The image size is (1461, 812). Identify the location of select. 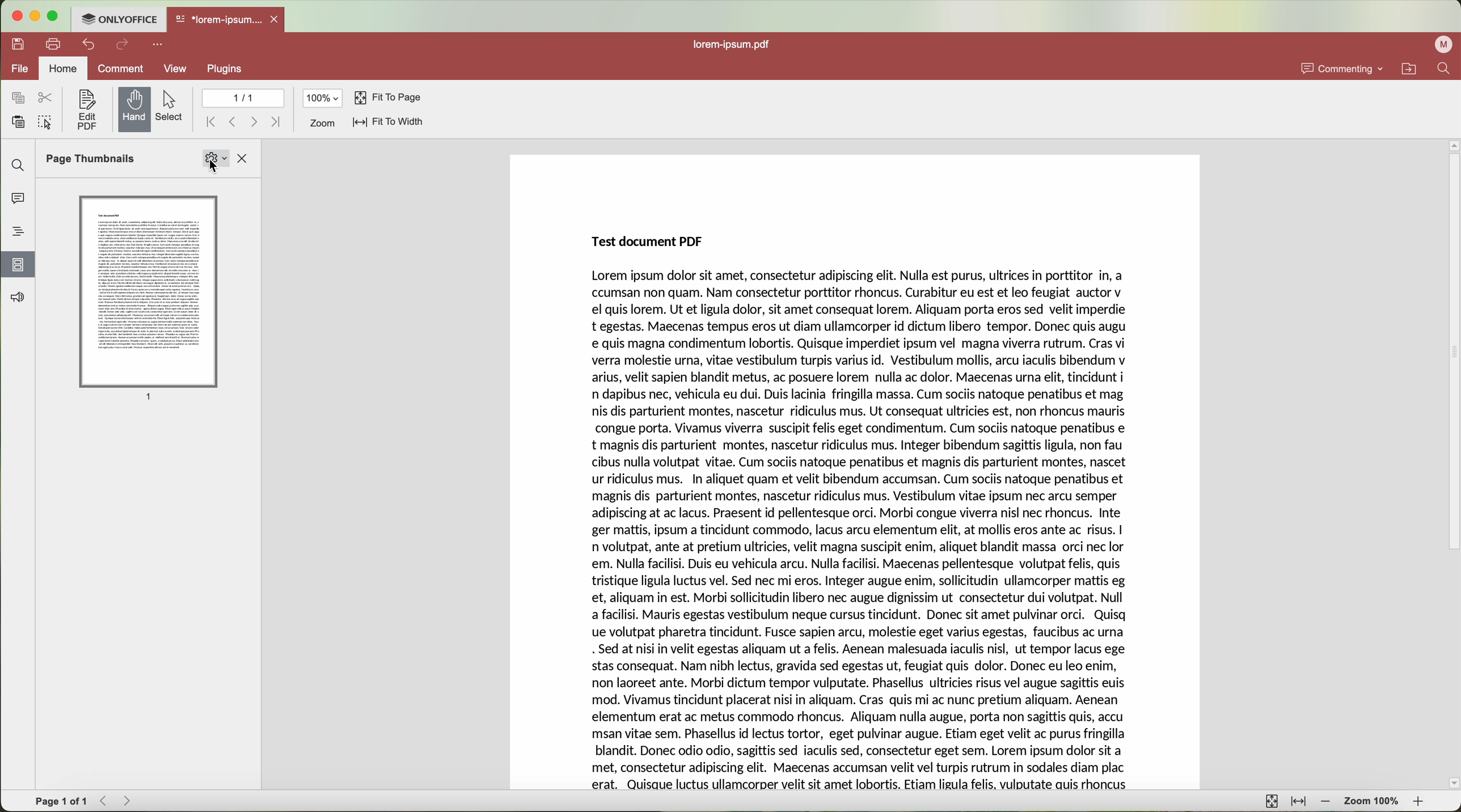
(216, 167).